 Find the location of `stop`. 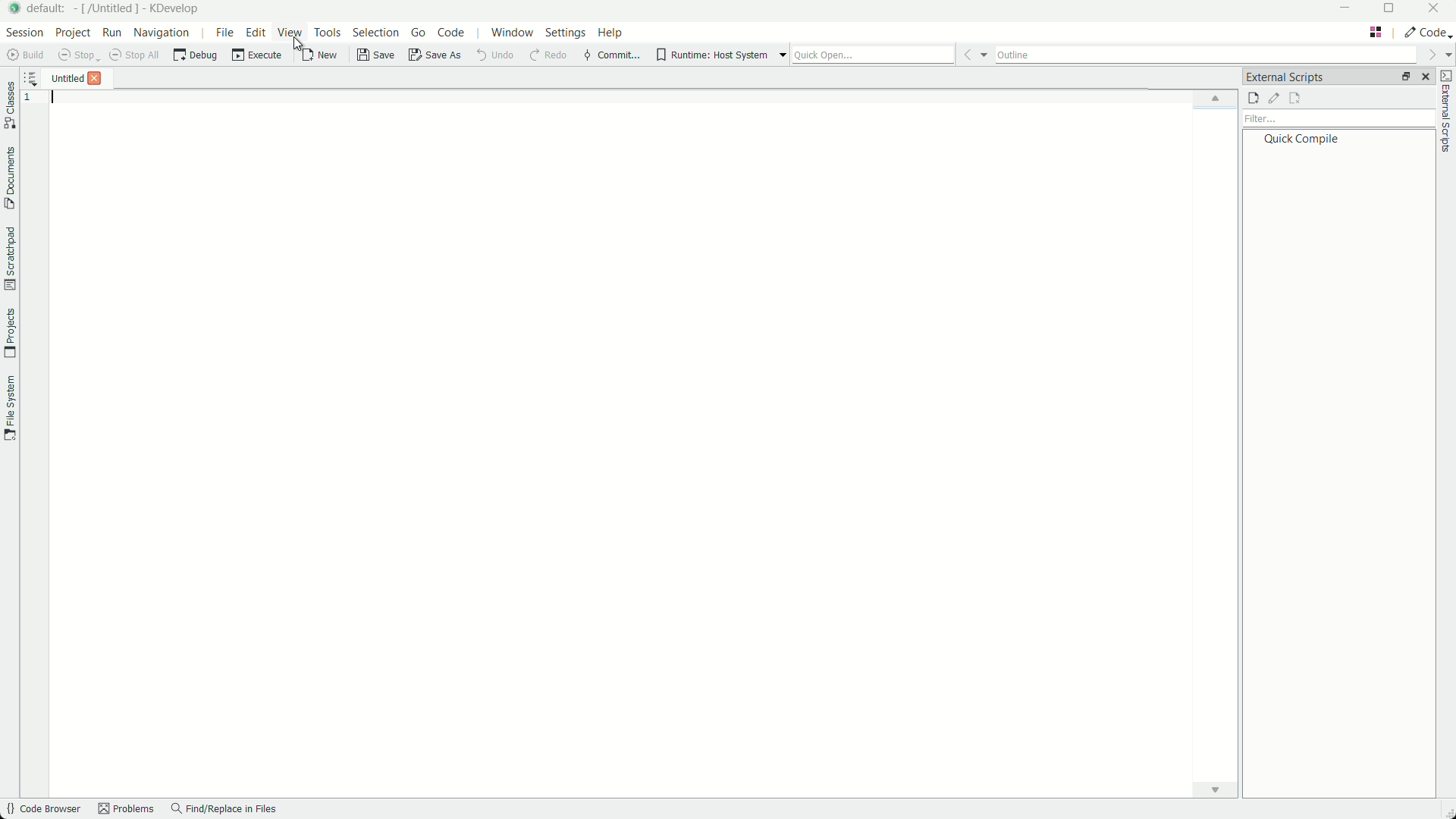

stop is located at coordinates (77, 57).